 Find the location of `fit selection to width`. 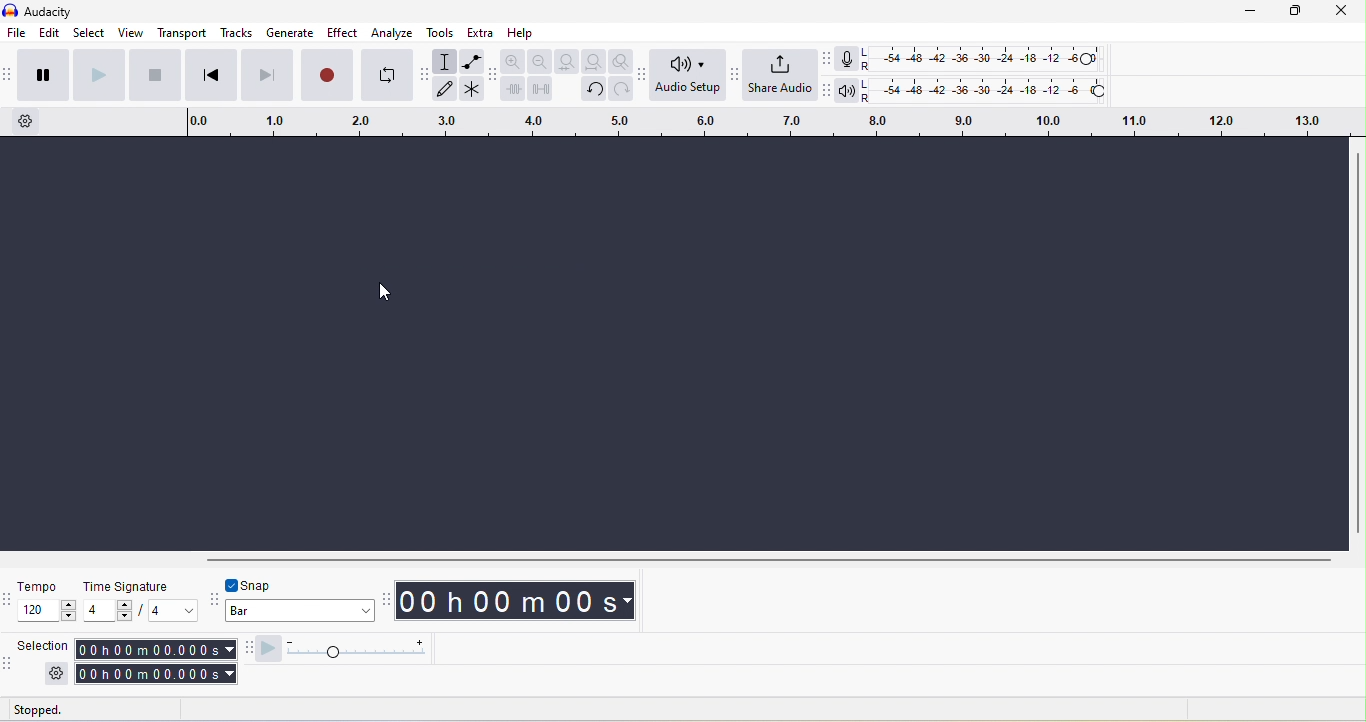

fit selection to width is located at coordinates (567, 61).